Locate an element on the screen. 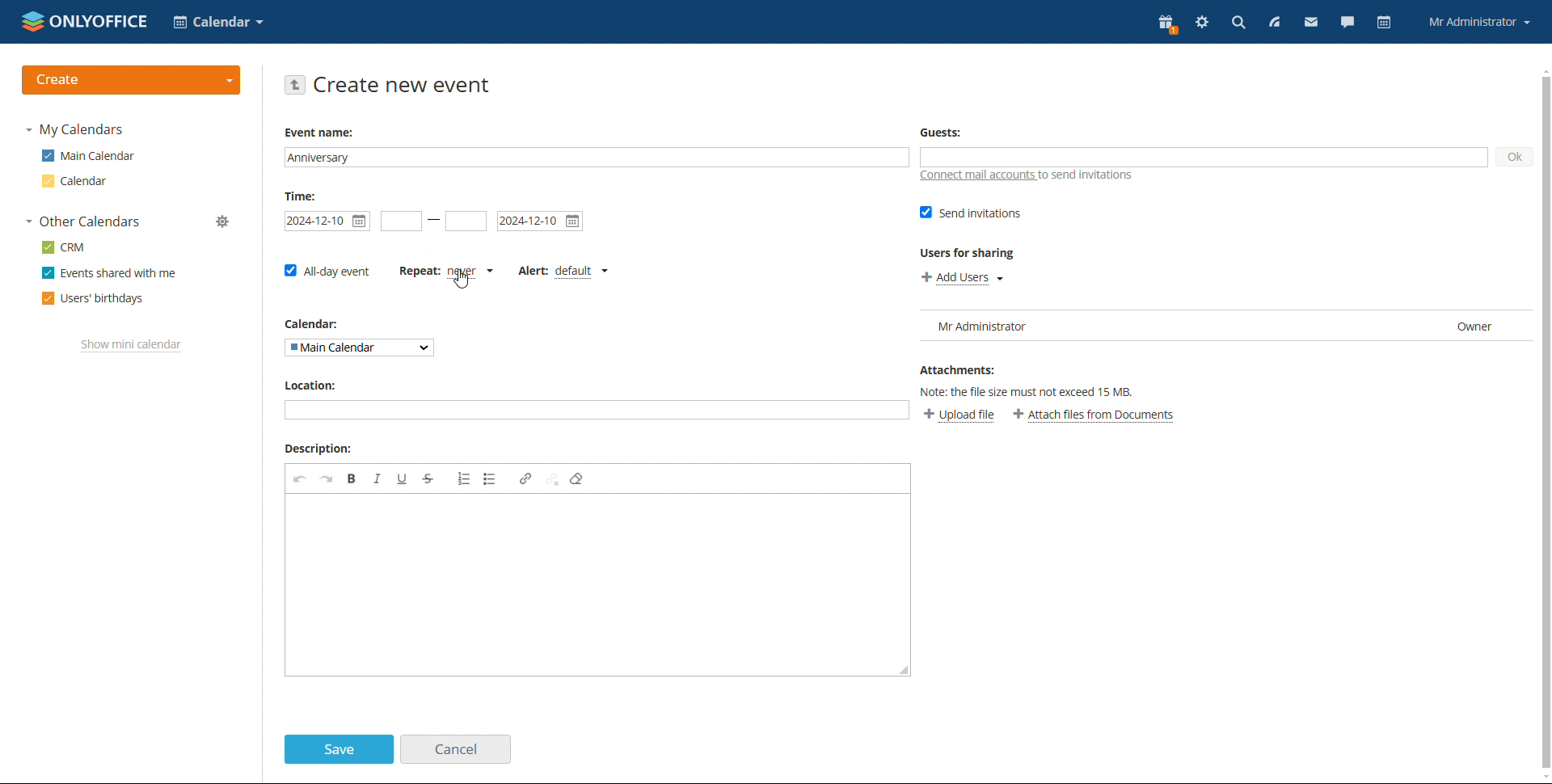 Image resolution: width=1552 pixels, height=784 pixels. go back is located at coordinates (296, 85).